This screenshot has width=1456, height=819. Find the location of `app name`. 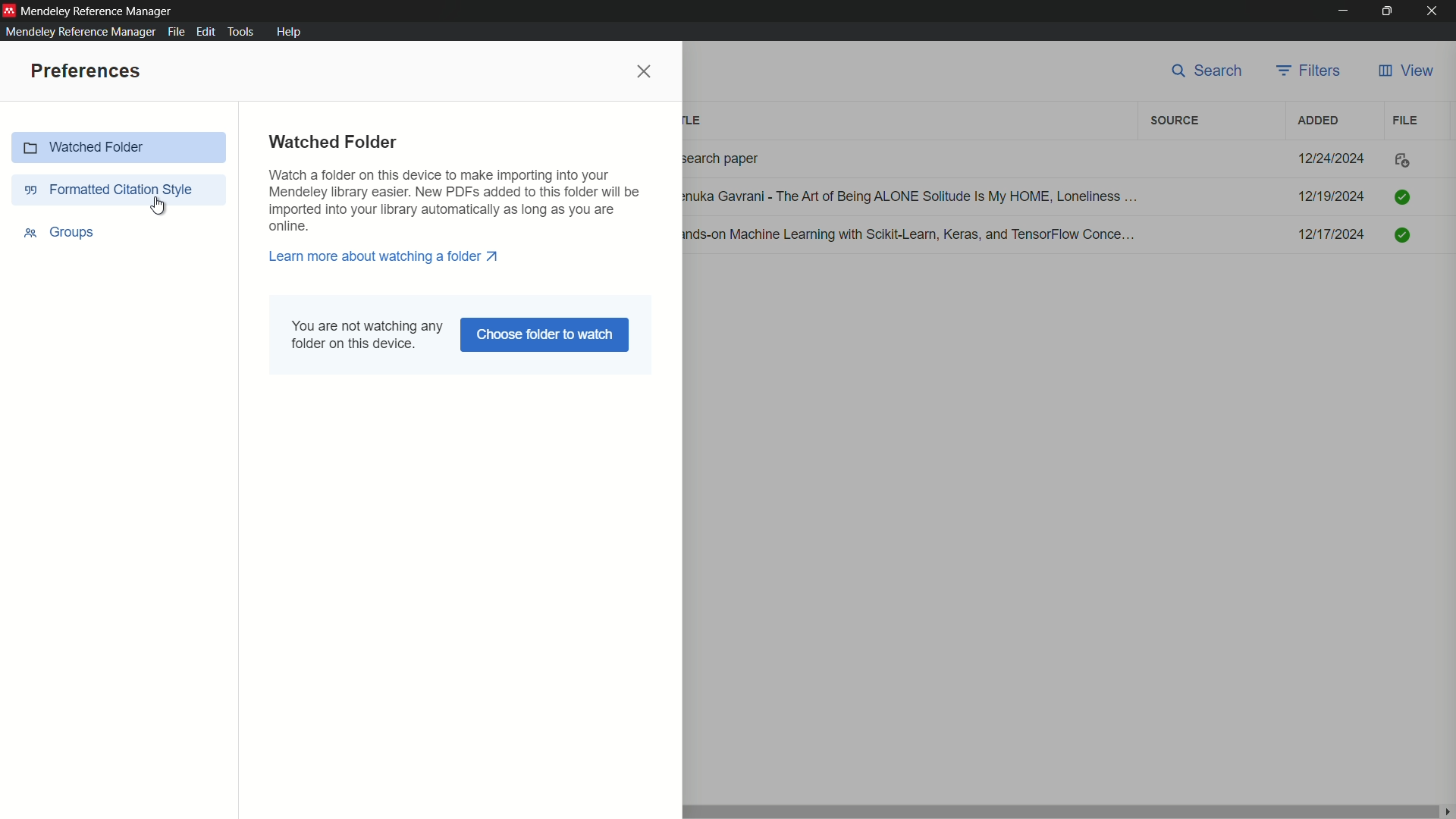

app name is located at coordinates (99, 10).